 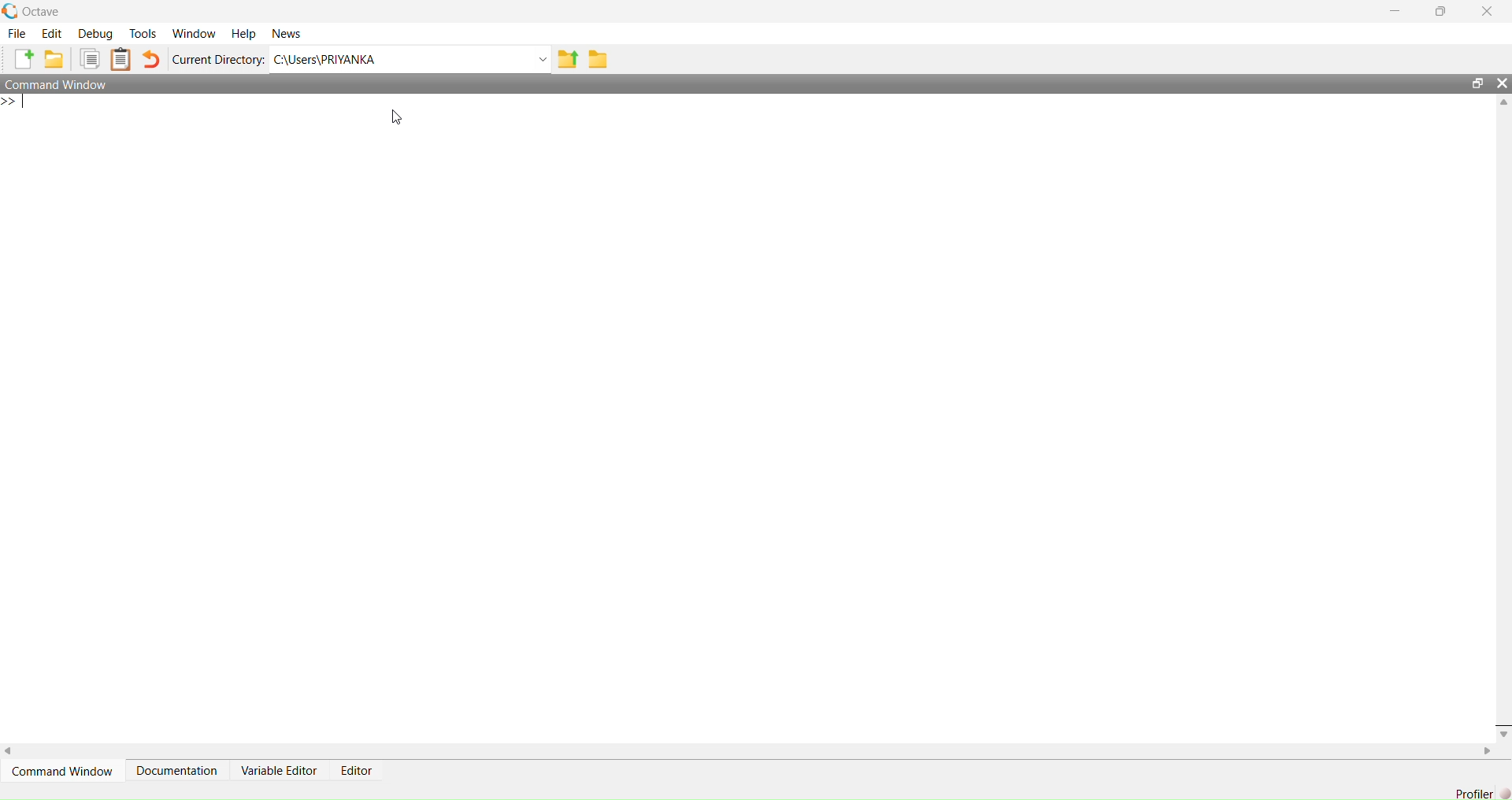 What do you see at coordinates (568, 58) in the screenshot?
I see ` one directory up` at bounding box center [568, 58].